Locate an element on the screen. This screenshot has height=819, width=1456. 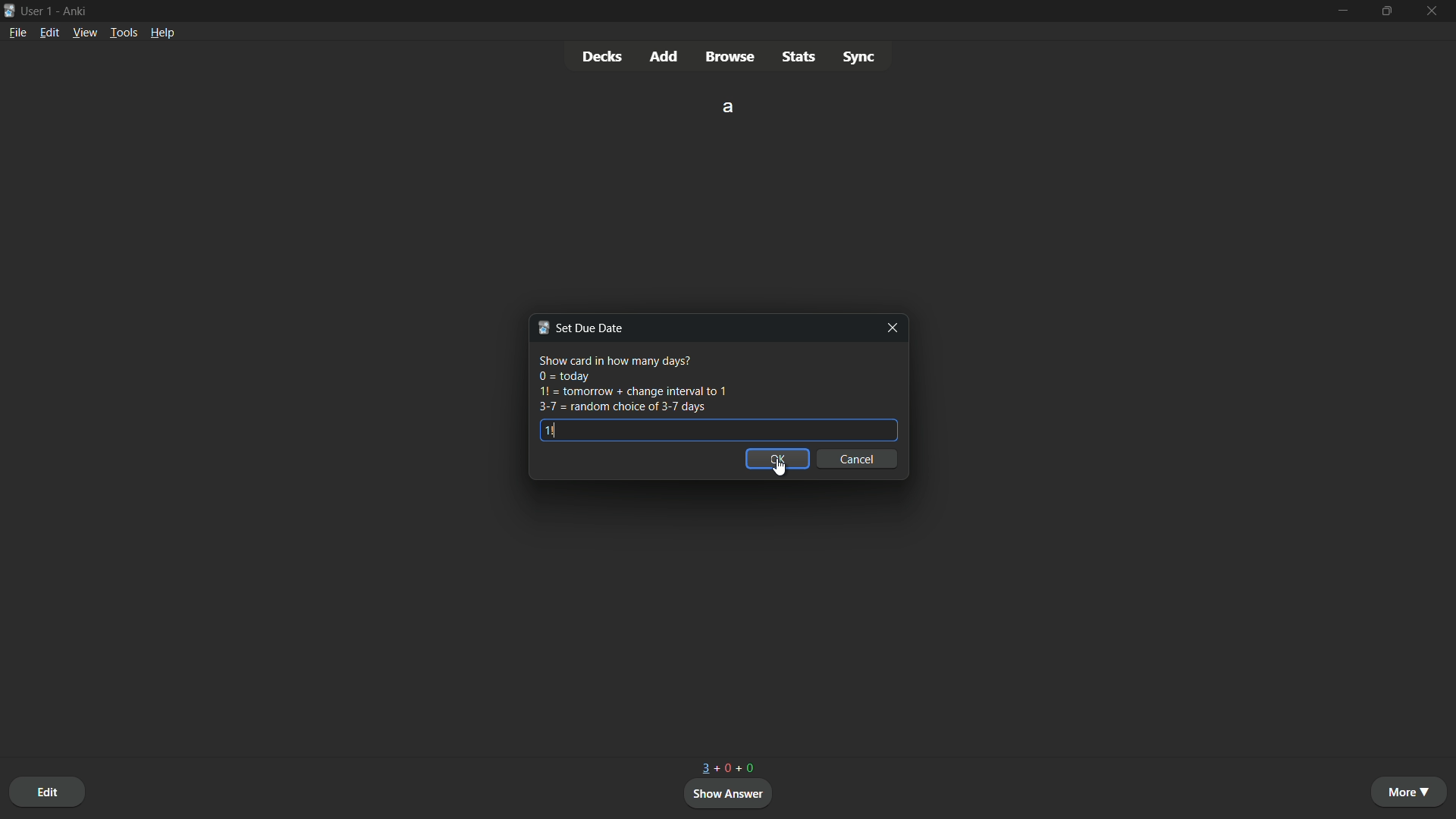
add is located at coordinates (665, 56).